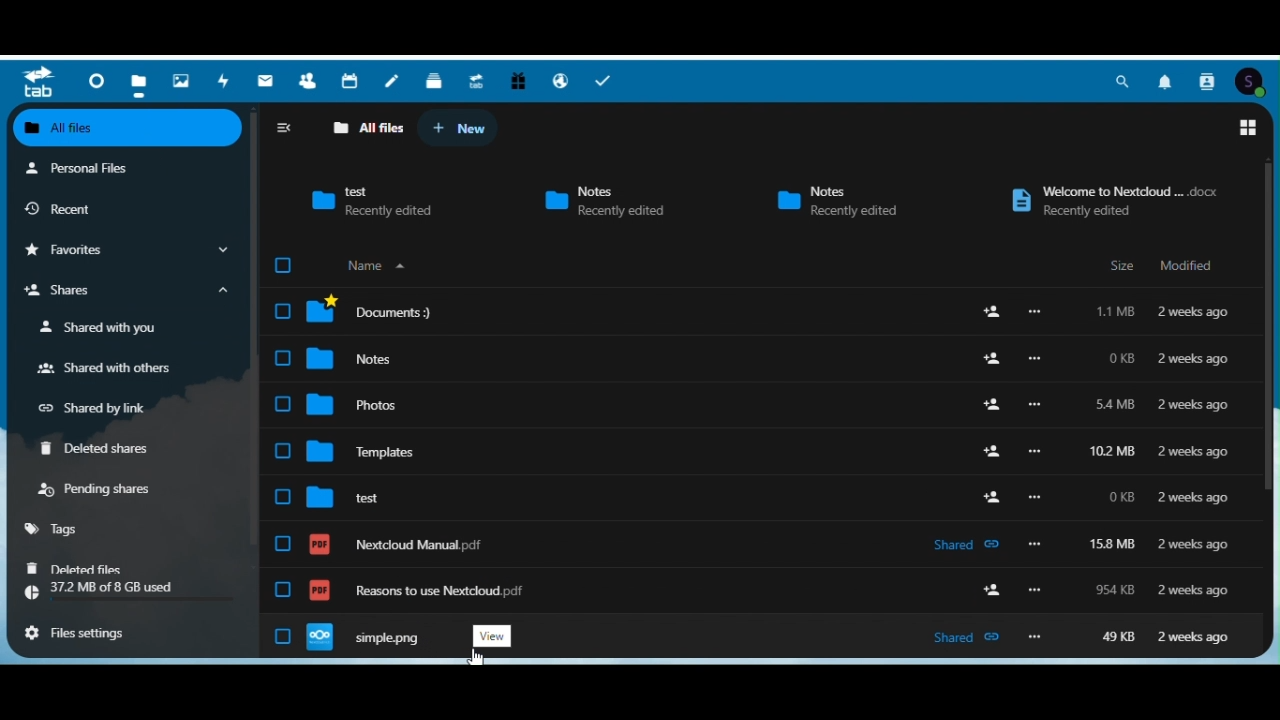  What do you see at coordinates (992, 496) in the screenshot?
I see `add` at bounding box center [992, 496].